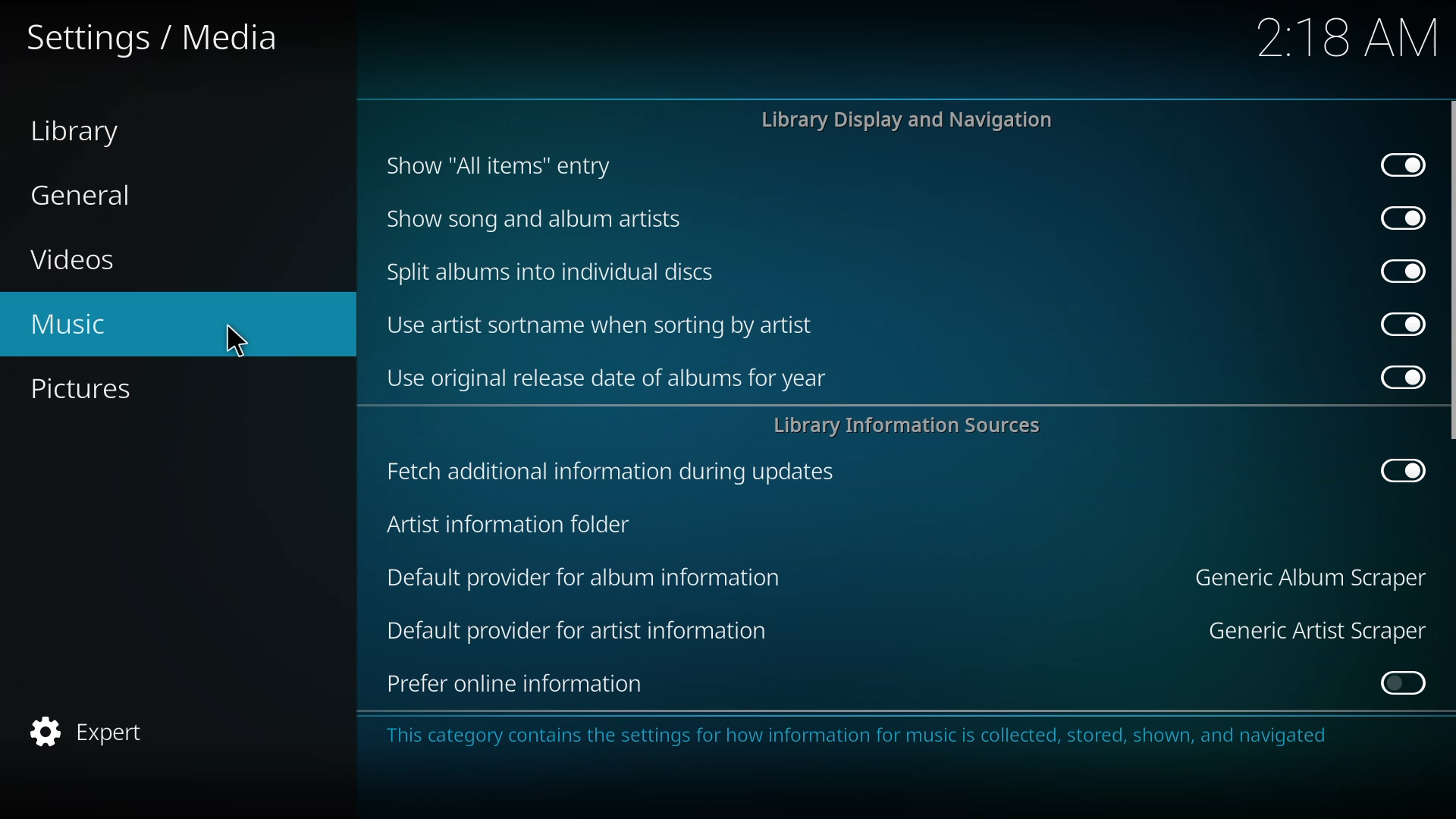  I want to click on general, so click(85, 196).